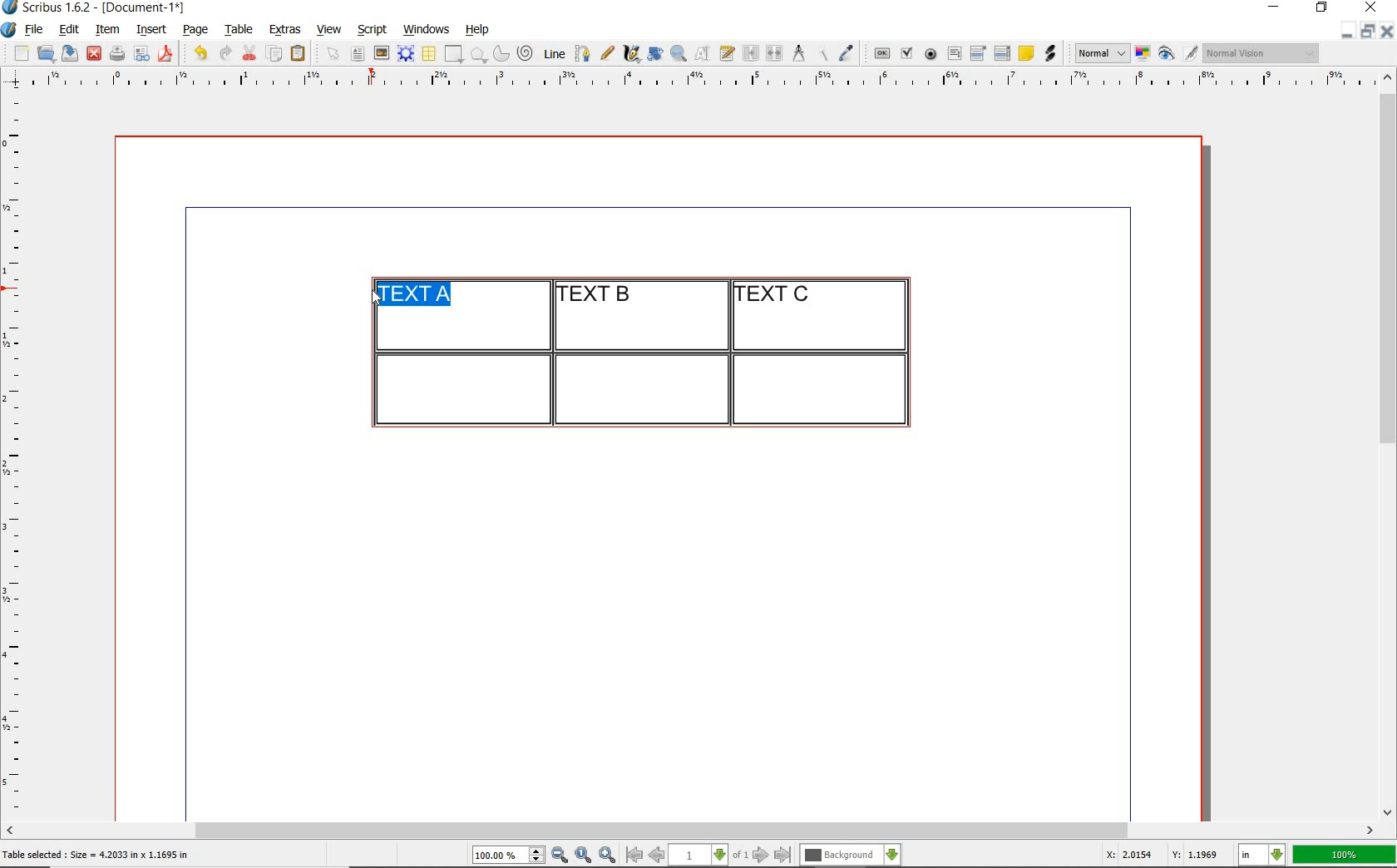  What do you see at coordinates (168, 53) in the screenshot?
I see `save as pdf` at bounding box center [168, 53].